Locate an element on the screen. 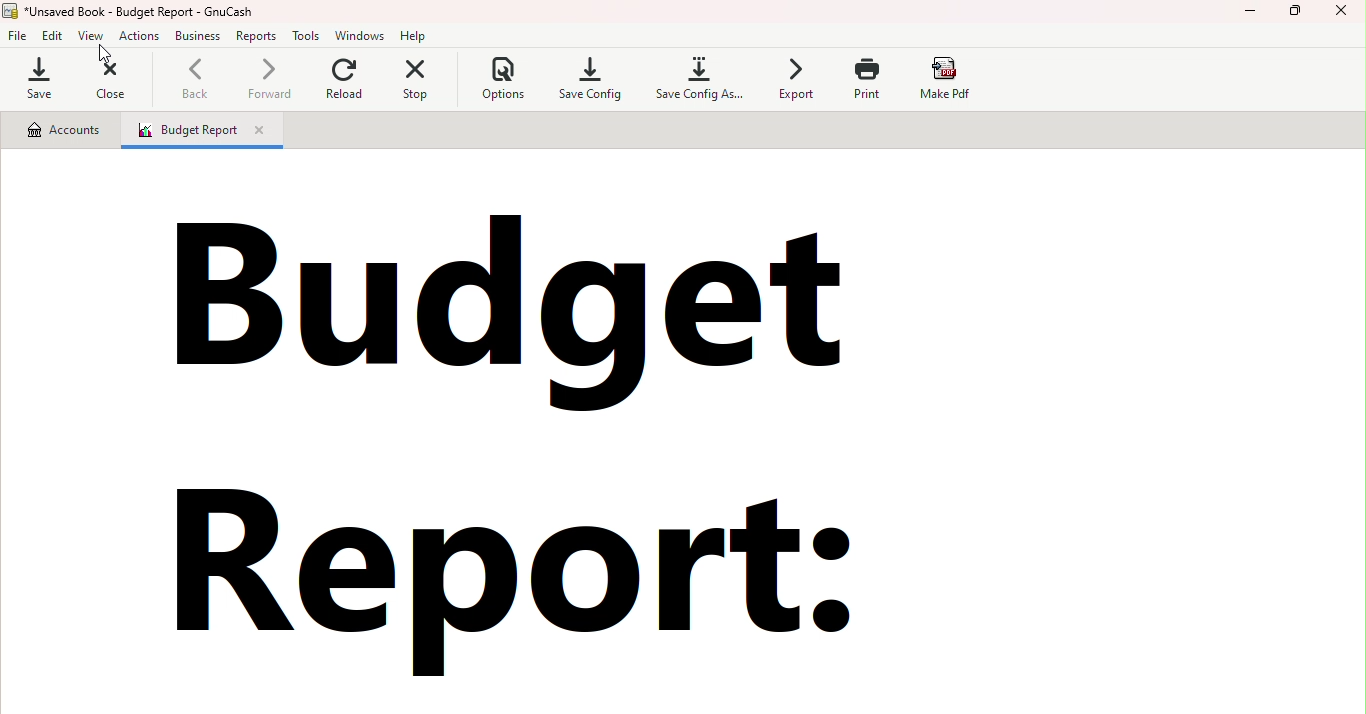 The image size is (1366, 714). cursor is located at coordinates (103, 54).